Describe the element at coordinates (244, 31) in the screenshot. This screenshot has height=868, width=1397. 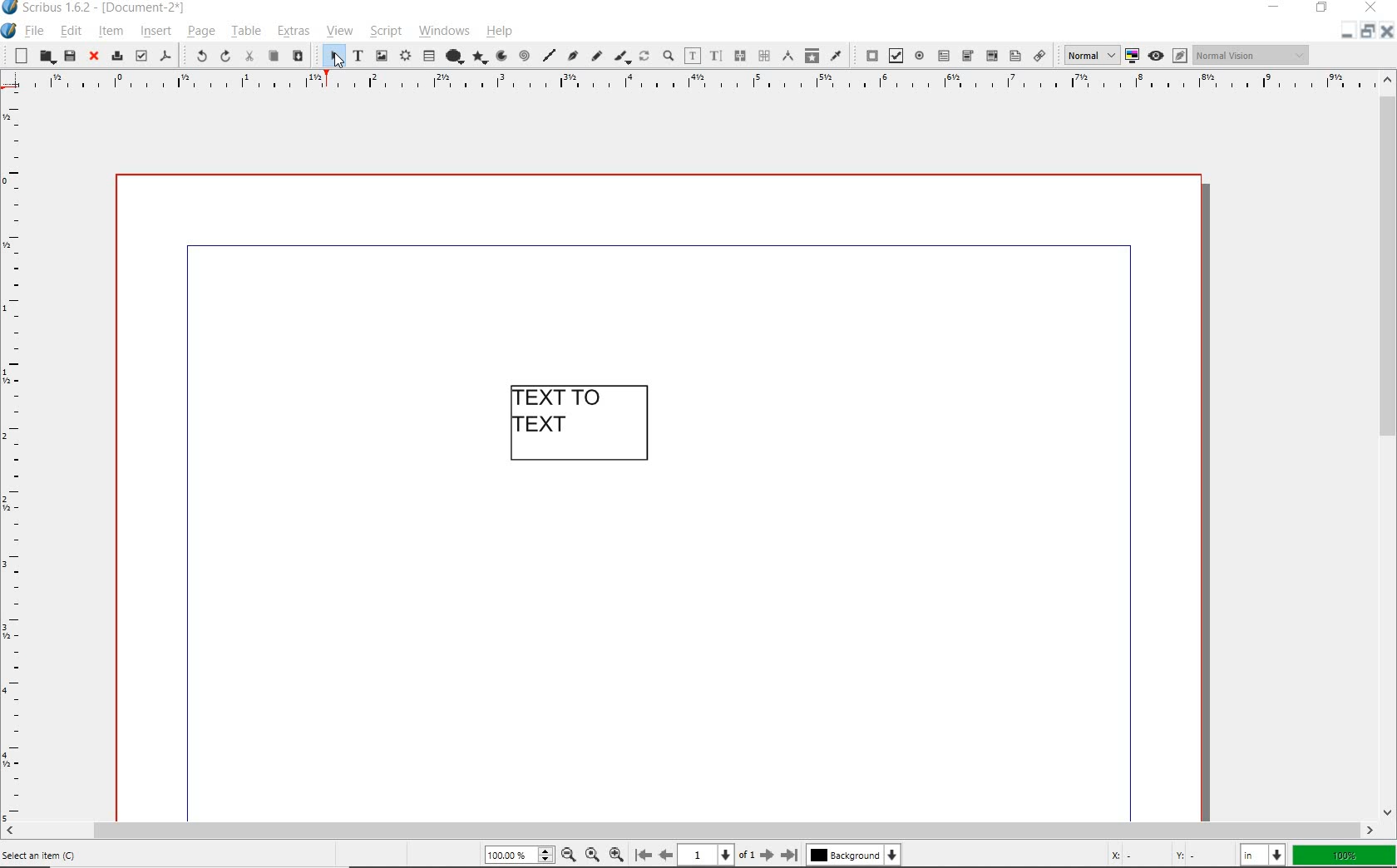
I see `table` at that location.